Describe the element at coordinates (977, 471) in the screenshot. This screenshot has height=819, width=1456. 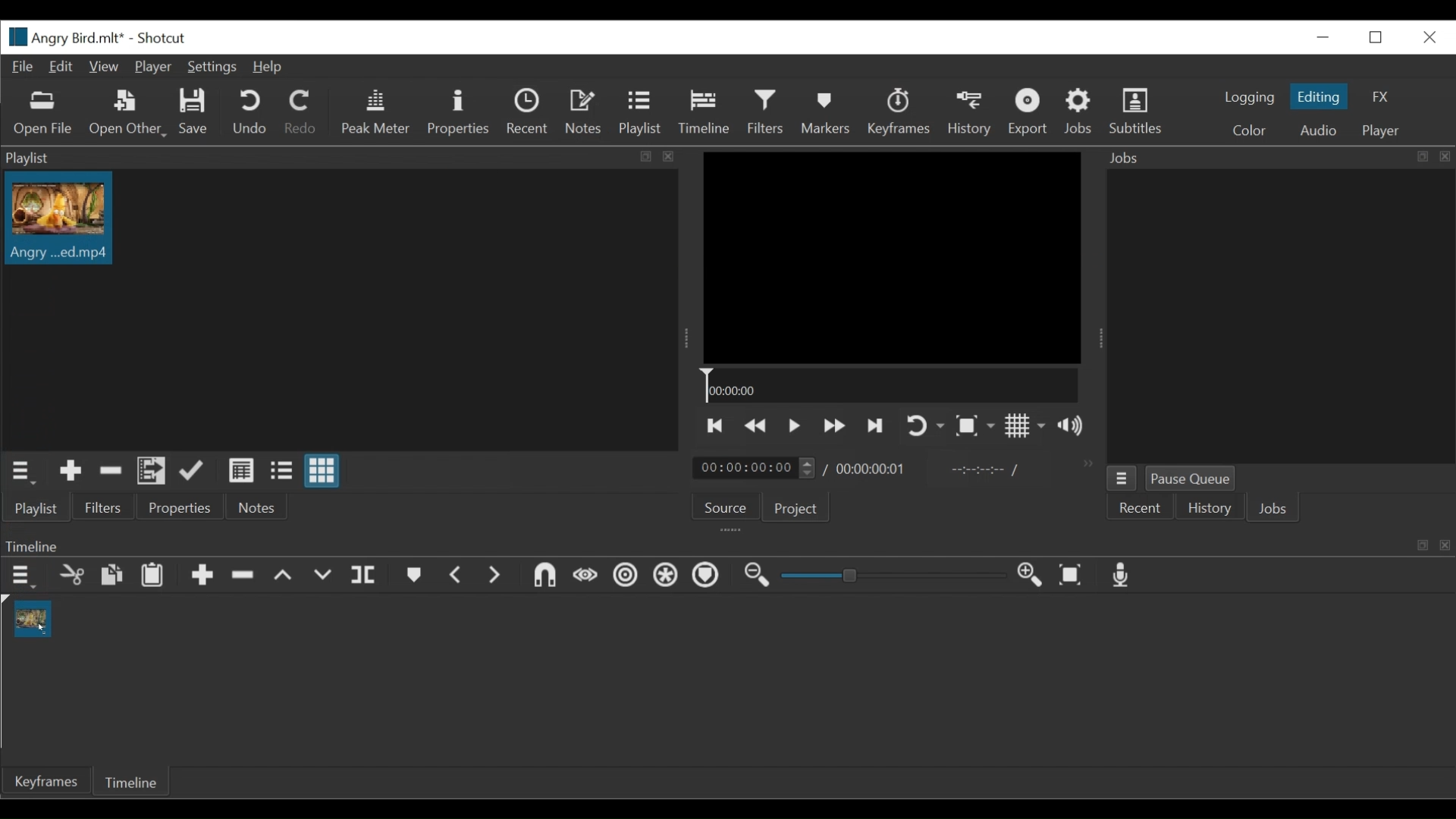
I see `In point` at that location.